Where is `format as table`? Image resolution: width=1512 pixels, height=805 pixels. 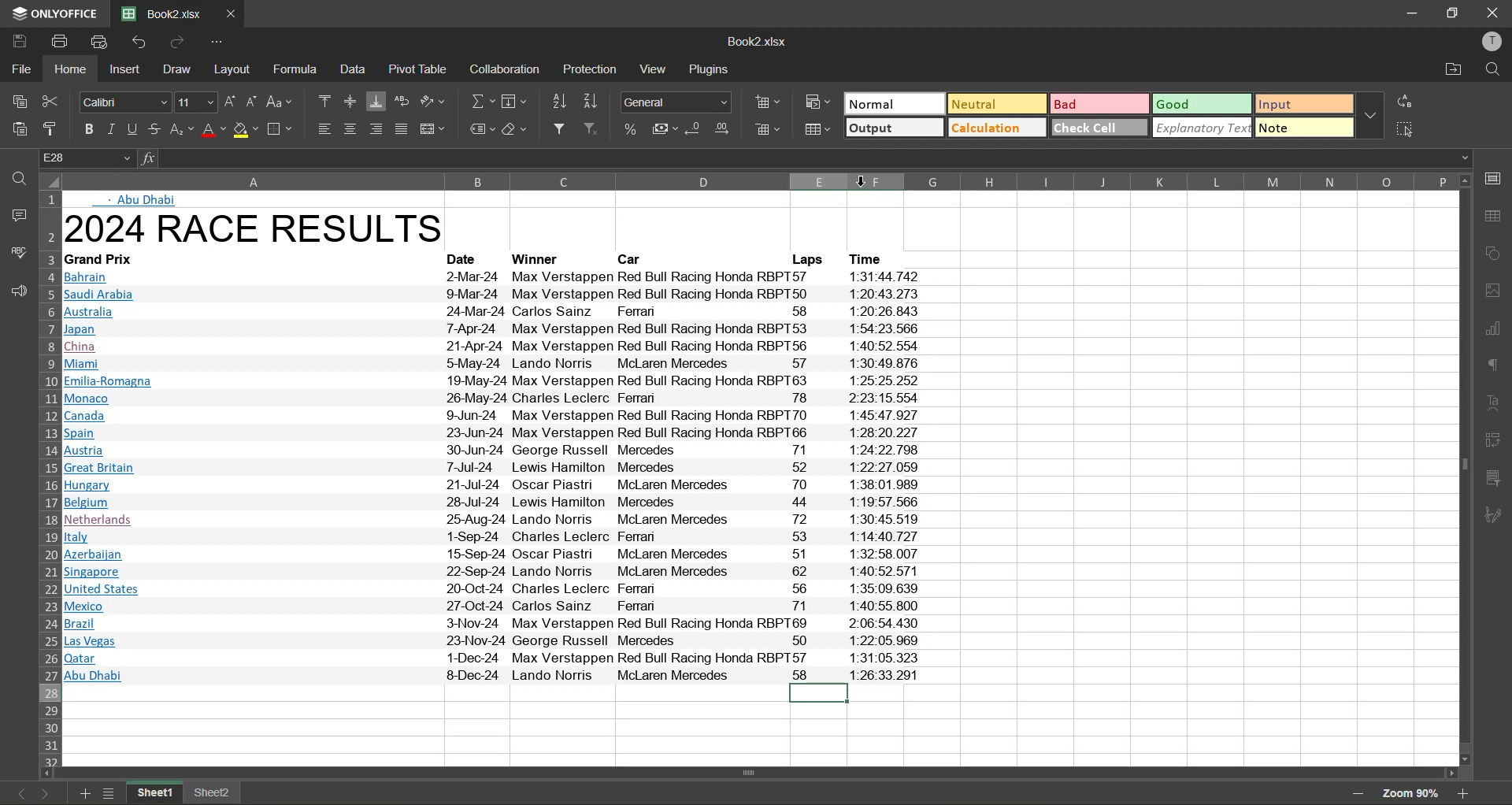
format as table is located at coordinates (817, 129).